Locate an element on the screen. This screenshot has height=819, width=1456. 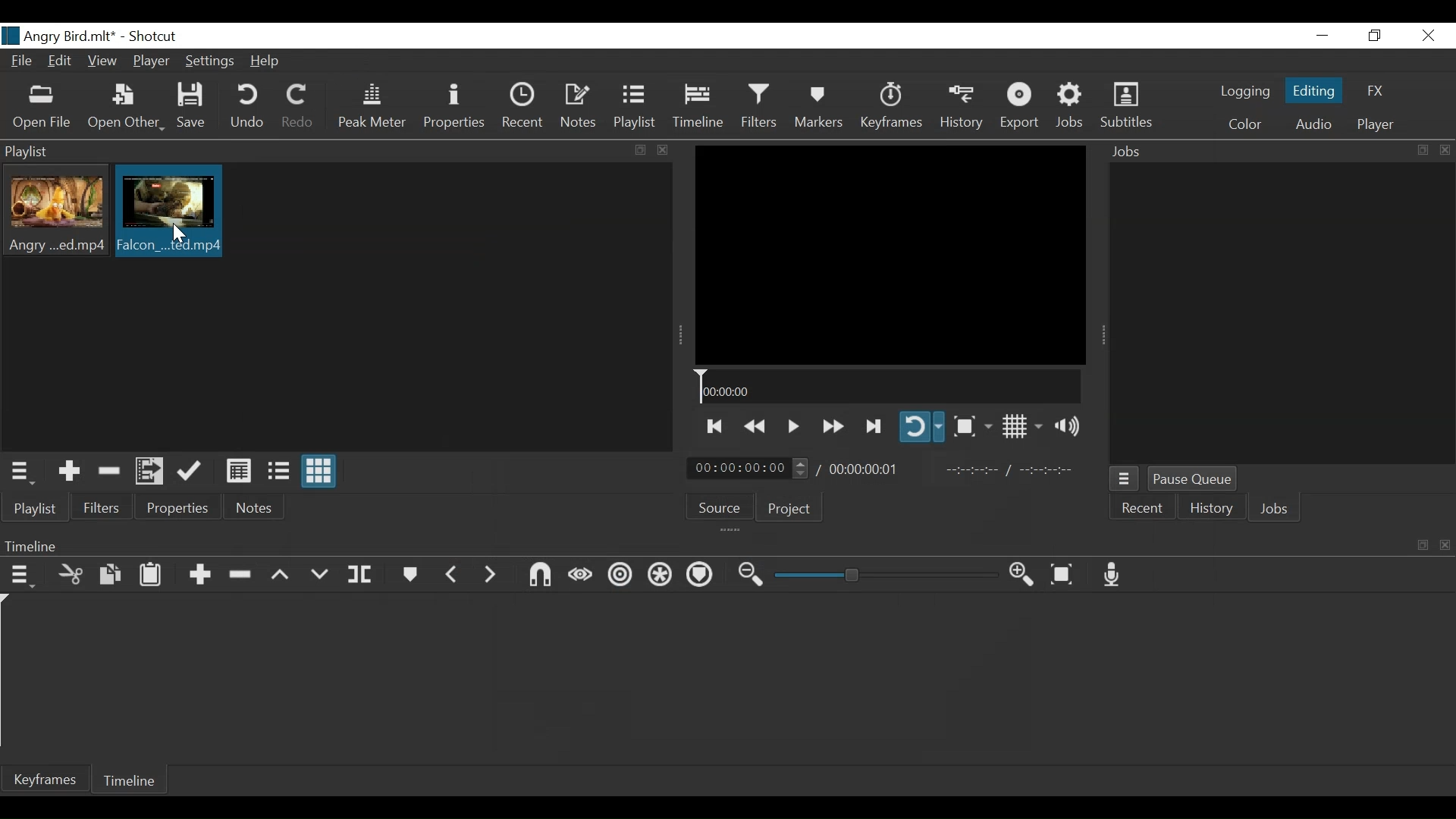
copy is located at coordinates (1421, 150).